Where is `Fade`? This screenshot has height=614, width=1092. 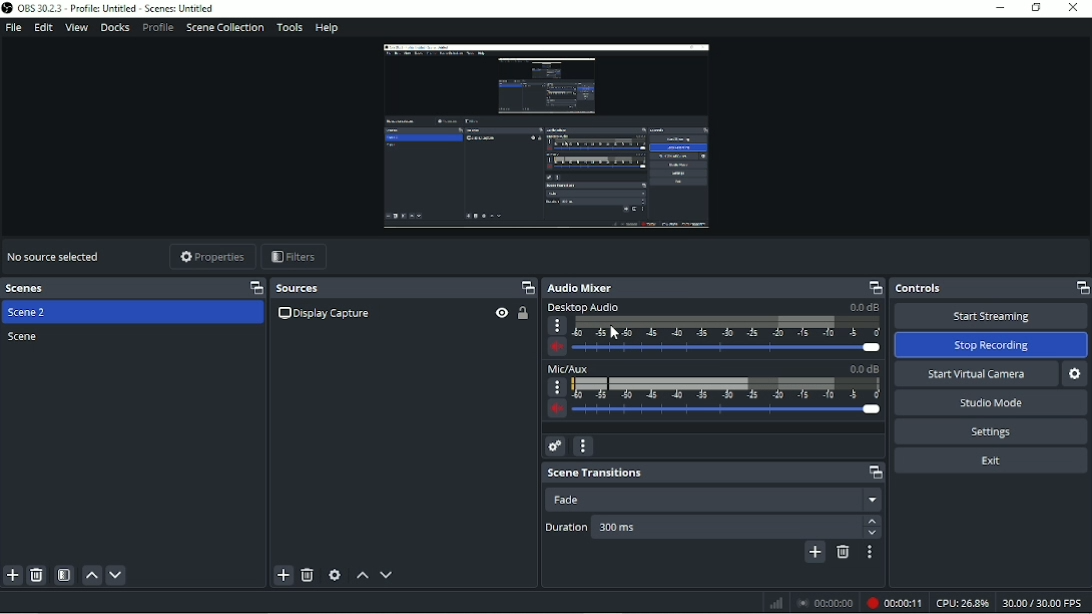 Fade is located at coordinates (713, 499).